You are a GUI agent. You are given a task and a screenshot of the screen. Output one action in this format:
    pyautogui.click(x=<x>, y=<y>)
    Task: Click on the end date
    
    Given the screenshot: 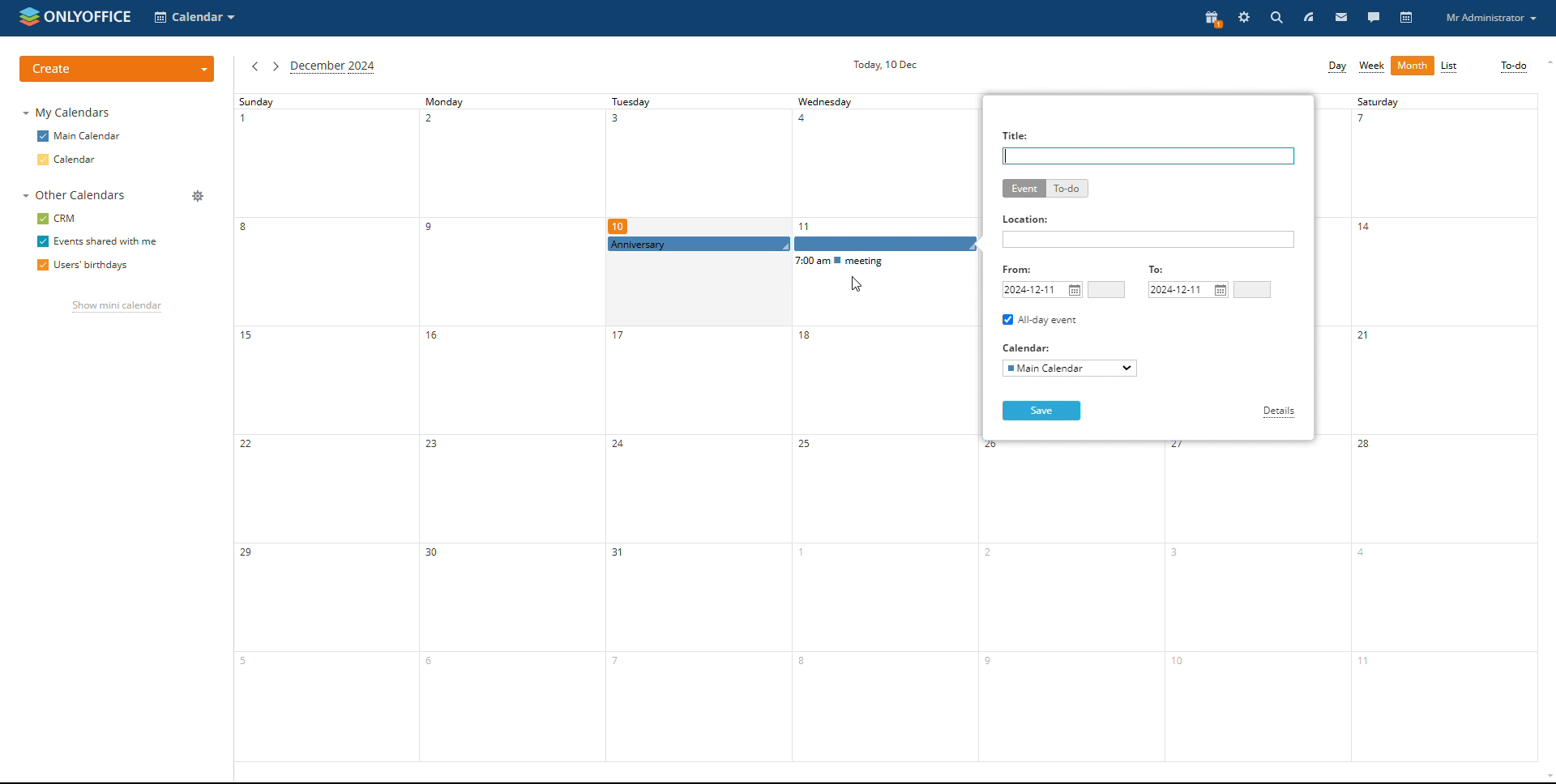 What is the action you would take?
    pyautogui.click(x=1189, y=290)
    